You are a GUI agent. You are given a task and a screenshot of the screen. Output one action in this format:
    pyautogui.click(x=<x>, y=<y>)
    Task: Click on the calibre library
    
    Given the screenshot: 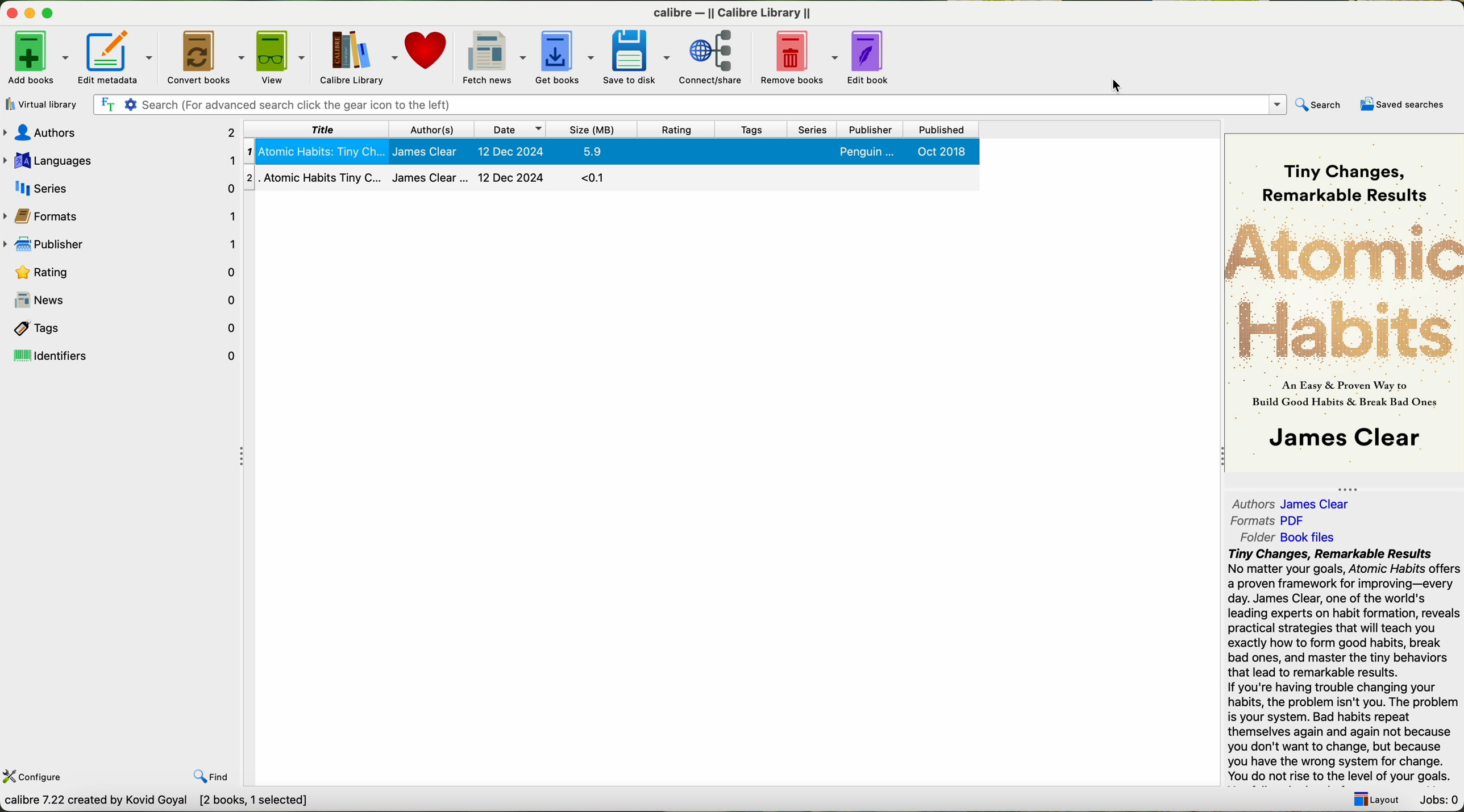 What is the action you would take?
    pyautogui.click(x=356, y=57)
    